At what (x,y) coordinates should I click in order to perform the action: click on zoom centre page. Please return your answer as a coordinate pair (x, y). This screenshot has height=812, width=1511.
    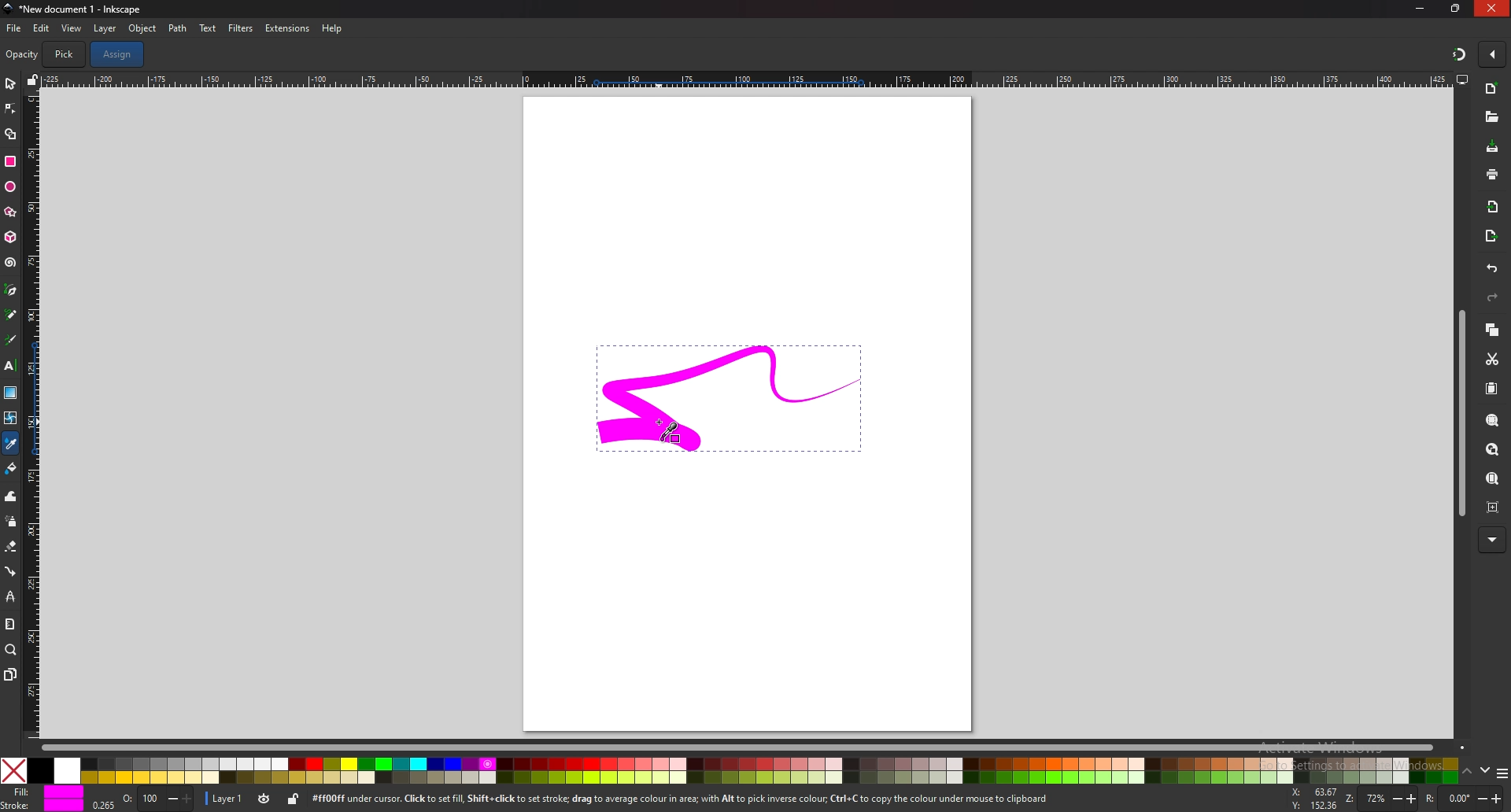
    Looking at the image, I should click on (1491, 507).